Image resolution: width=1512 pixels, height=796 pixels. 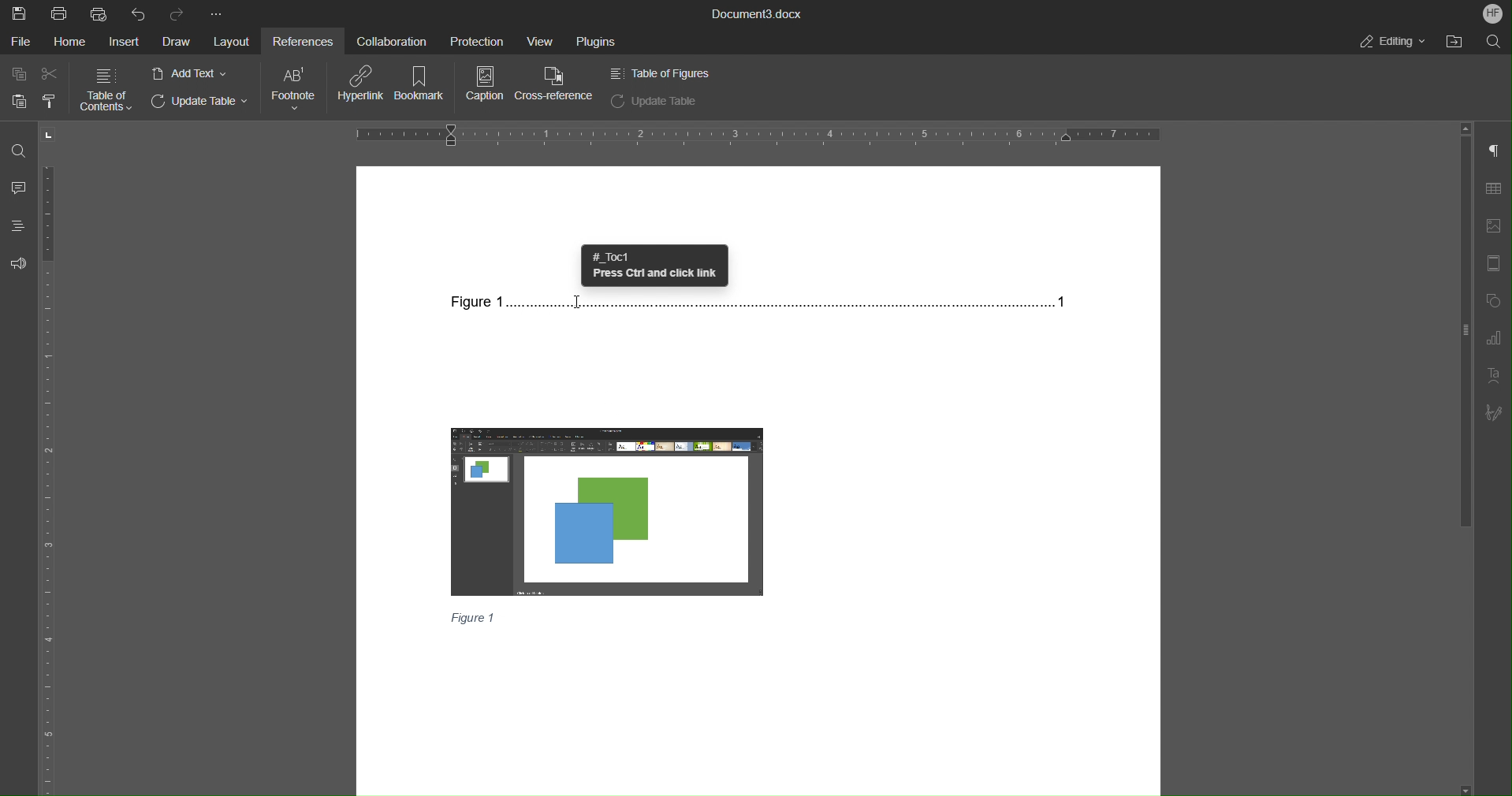 I want to click on Editing, so click(x=1392, y=42).